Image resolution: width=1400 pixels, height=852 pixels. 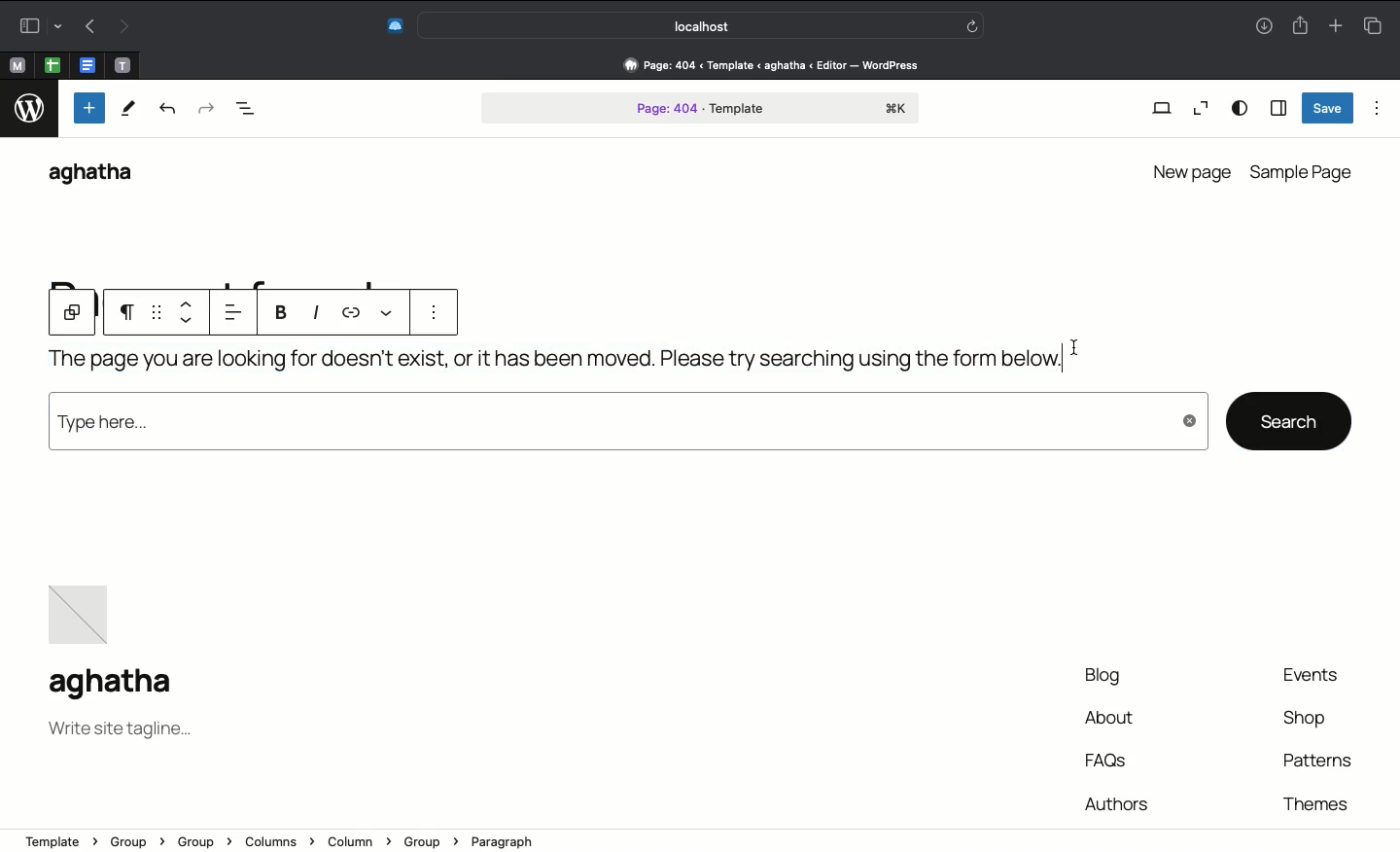 What do you see at coordinates (1391, 333) in the screenshot?
I see `Scroll` at bounding box center [1391, 333].